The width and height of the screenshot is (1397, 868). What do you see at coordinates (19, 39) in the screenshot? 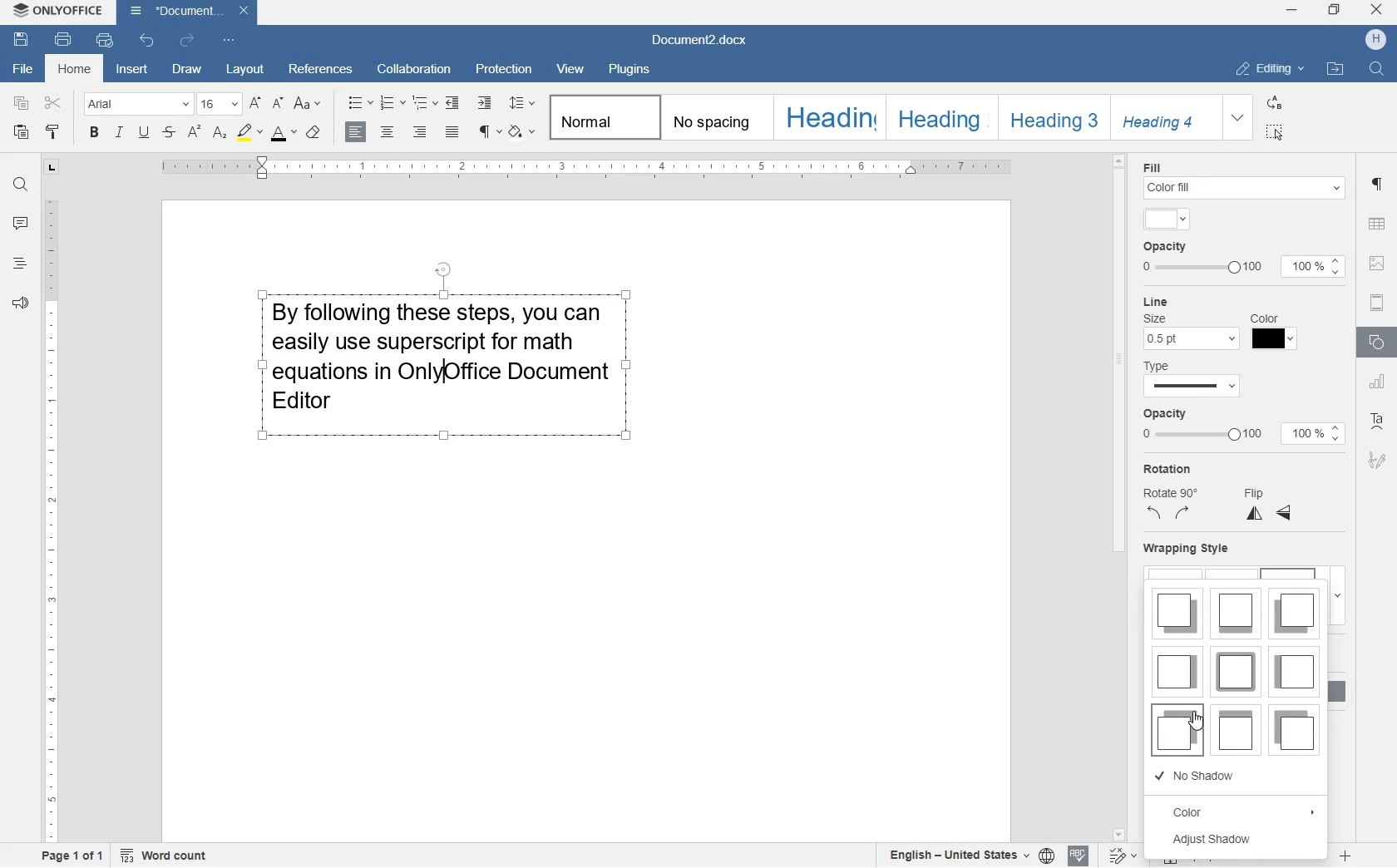
I see `save` at bounding box center [19, 39].